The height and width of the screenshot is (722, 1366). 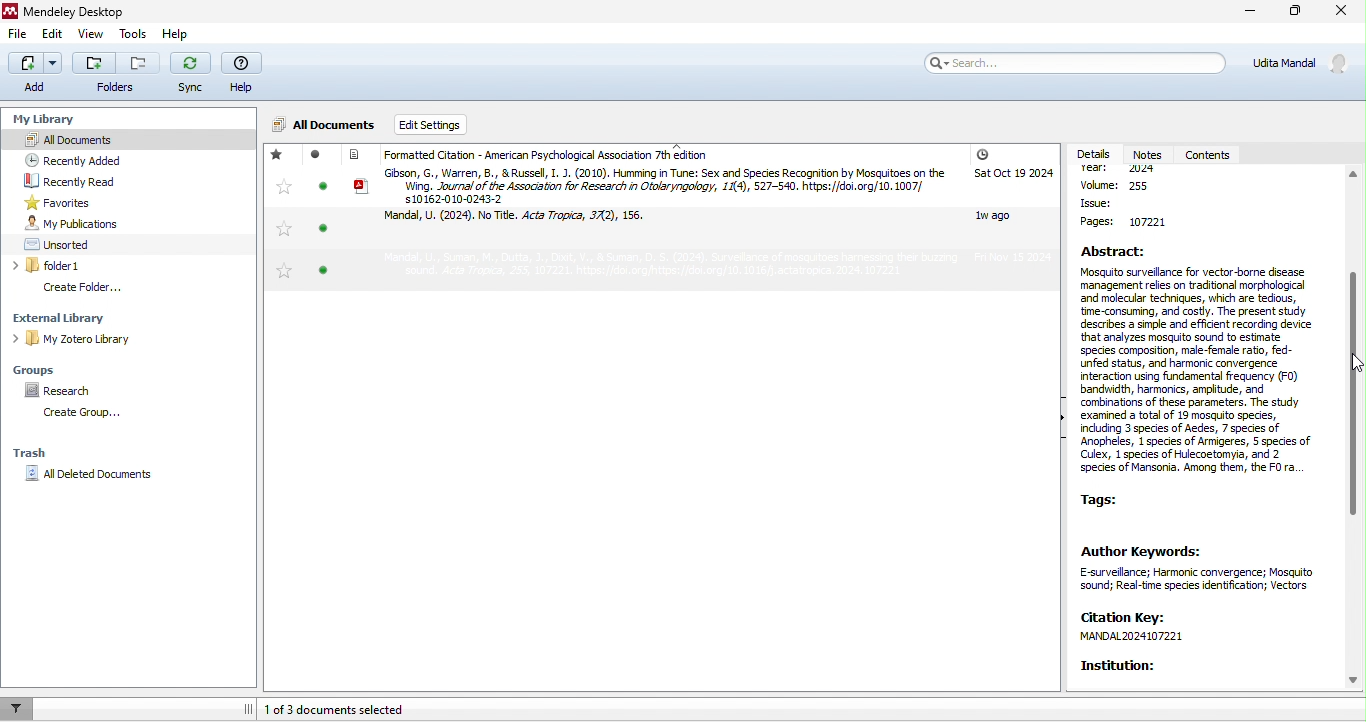 I want to click on tools, so click(x=132, y=34).